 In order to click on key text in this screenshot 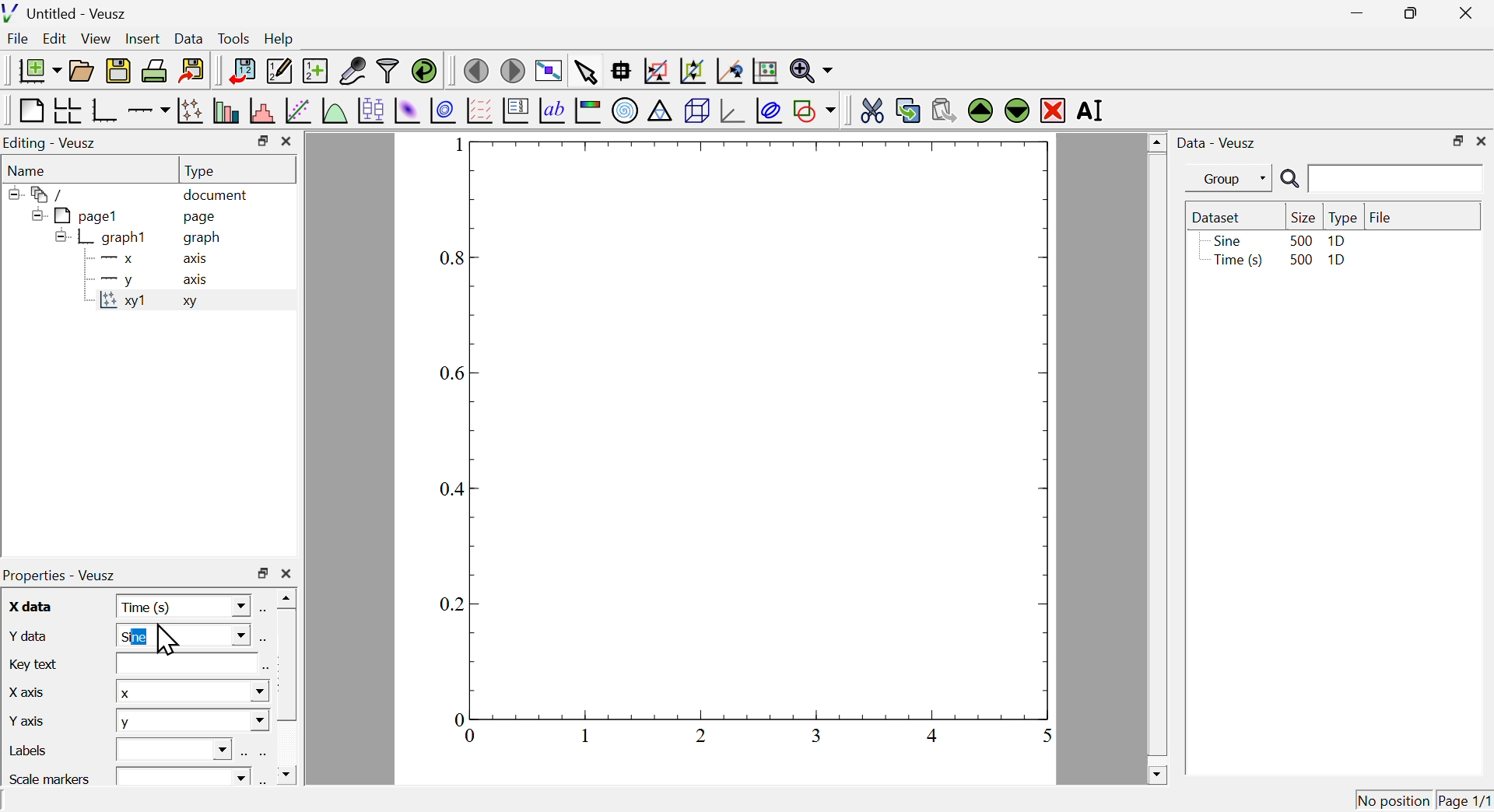, I will do `click(37, 663)`.